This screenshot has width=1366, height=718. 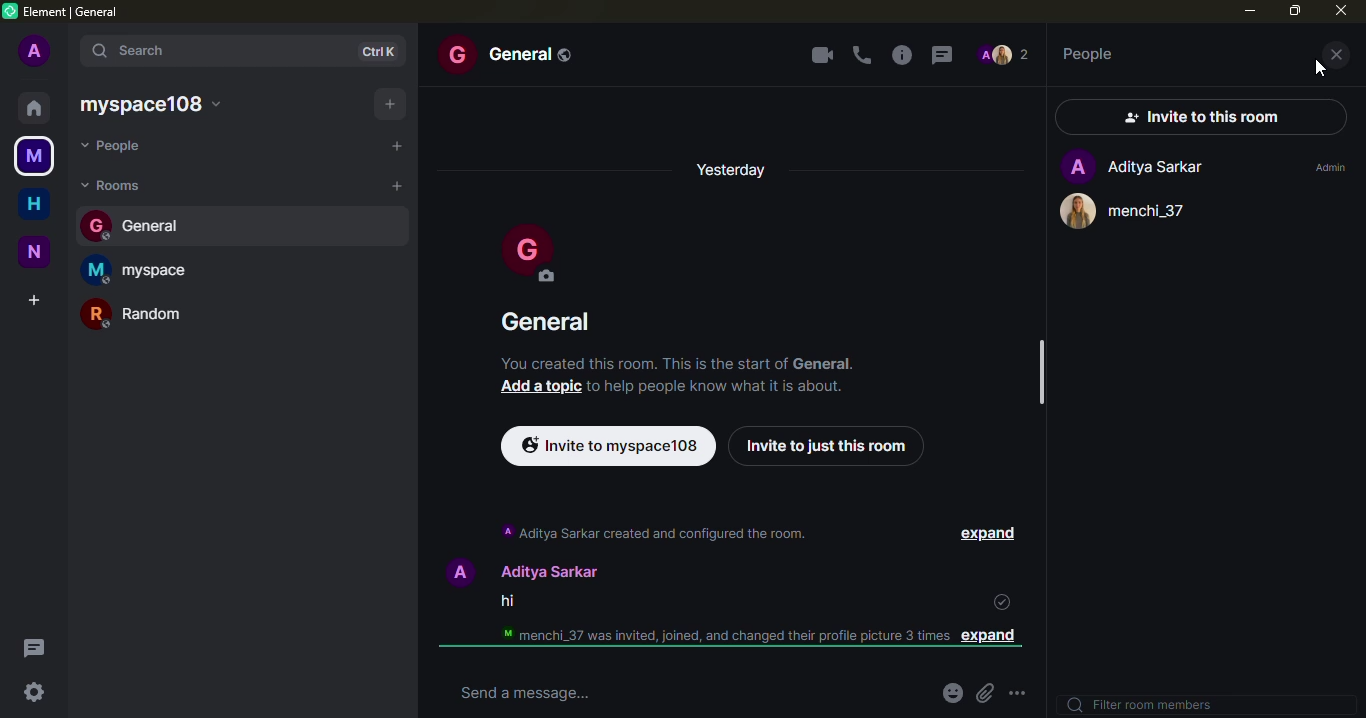 I want to click on threads, so click(x=34, y=647).